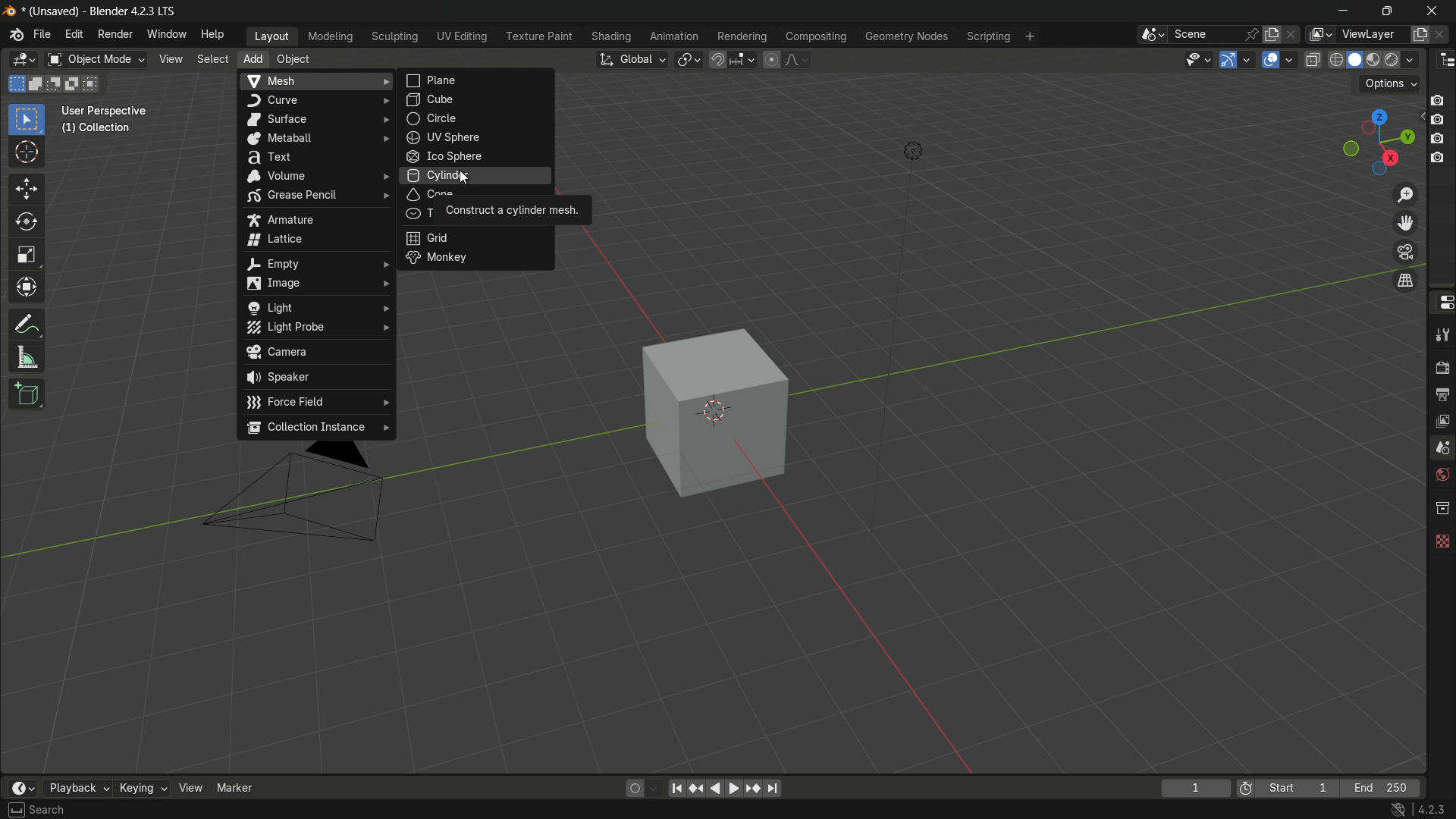  I want to click on speaker, so click(318, 378).